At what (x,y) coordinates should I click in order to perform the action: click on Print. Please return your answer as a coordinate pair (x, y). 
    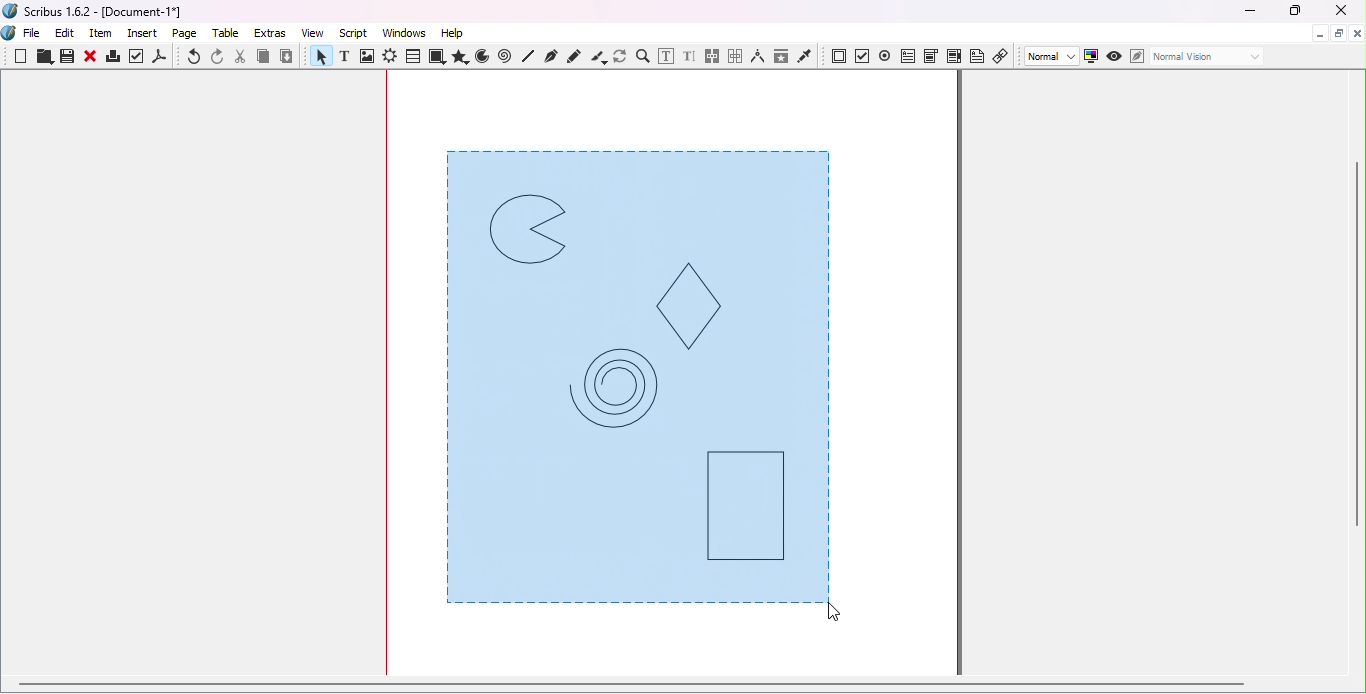
    Looking at the image, I should click on (112, 59).